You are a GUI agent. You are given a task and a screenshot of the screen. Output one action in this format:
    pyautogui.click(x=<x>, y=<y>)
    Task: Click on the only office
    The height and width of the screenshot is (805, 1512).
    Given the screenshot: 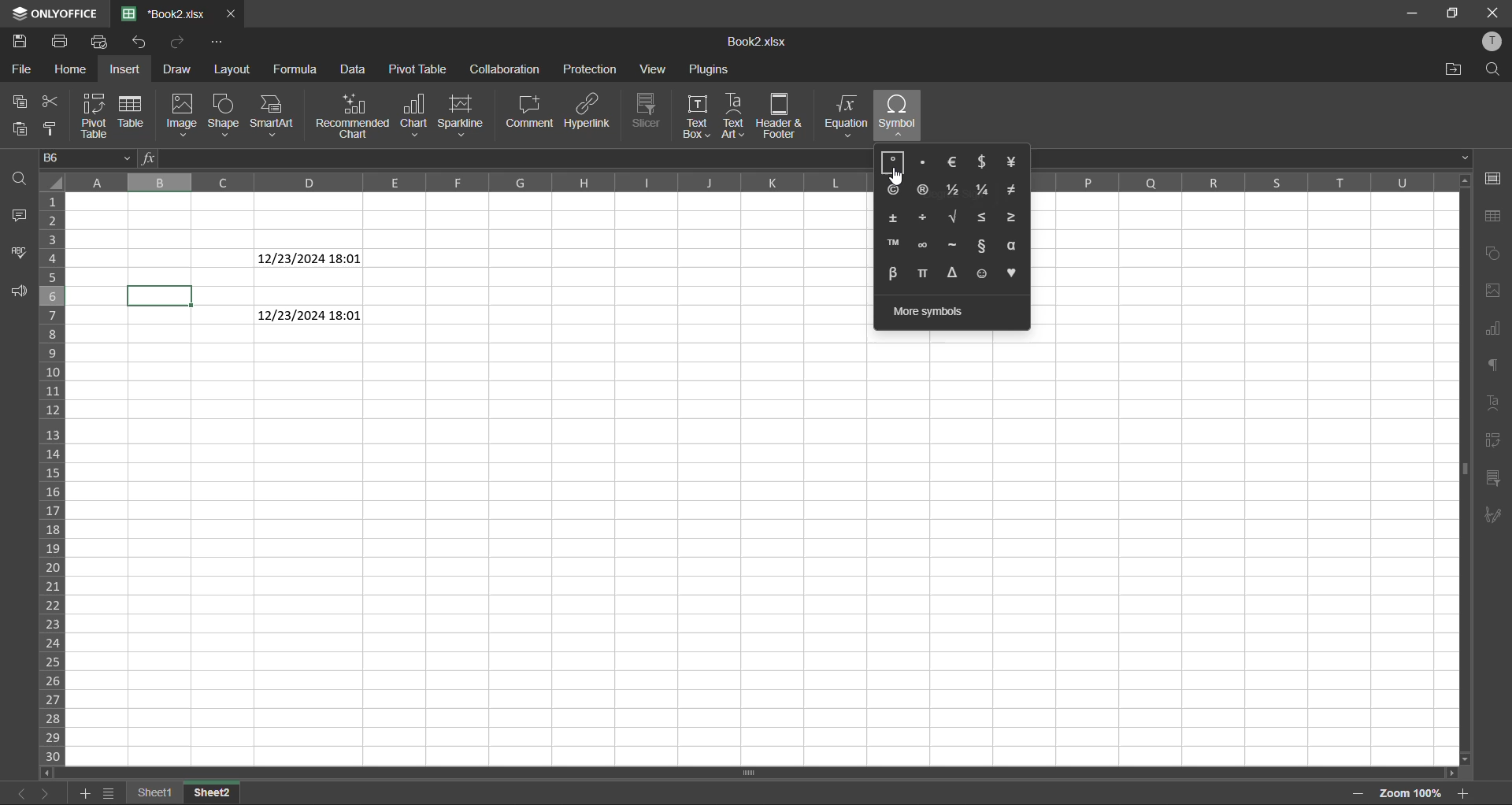 What is the action you would take?
    pyautogui.click(x=53, y=12)
    